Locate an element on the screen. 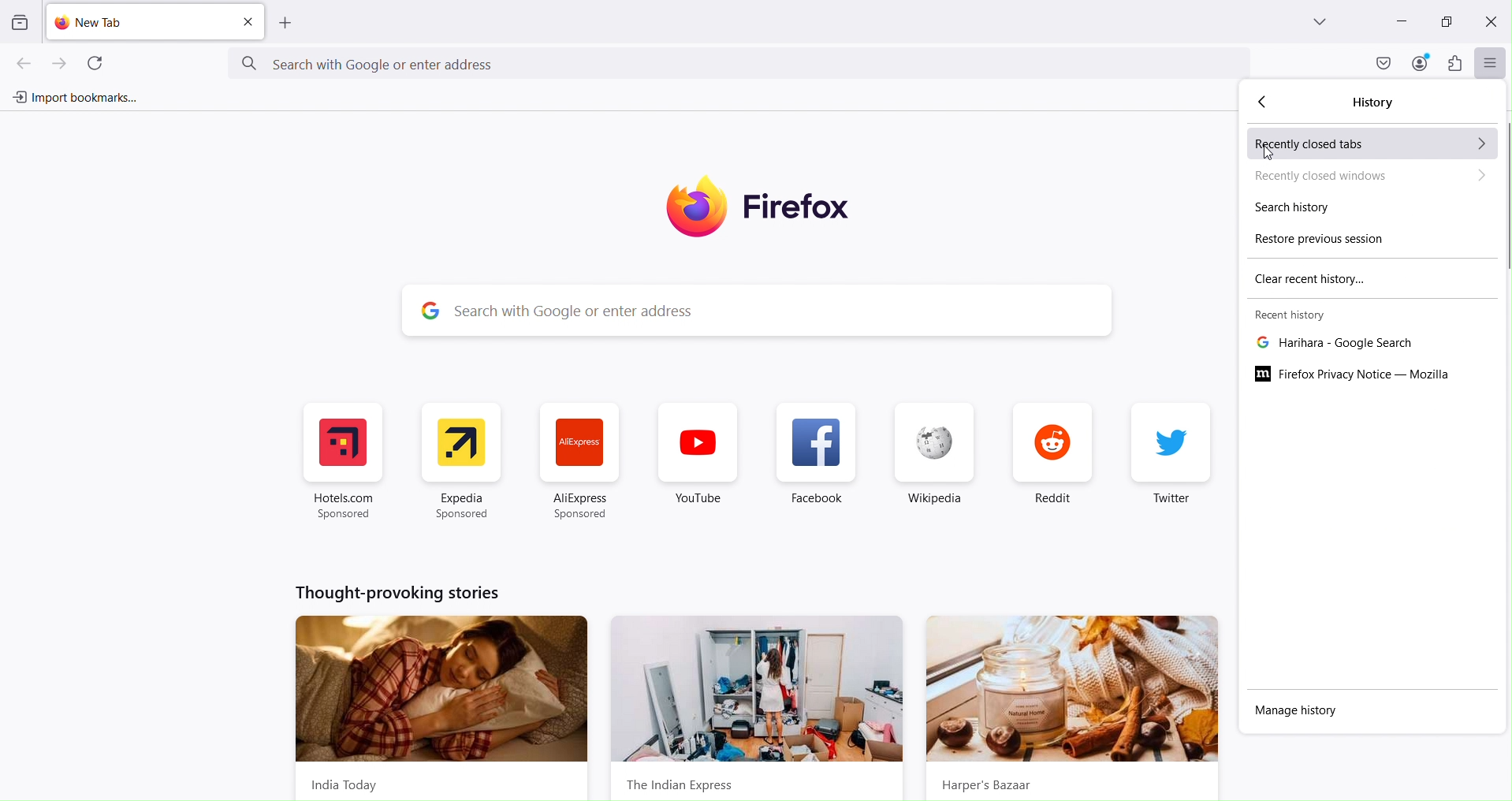 The height and width of the screenshot is (801, 1512). Account is located at coordinates (1421, 62).